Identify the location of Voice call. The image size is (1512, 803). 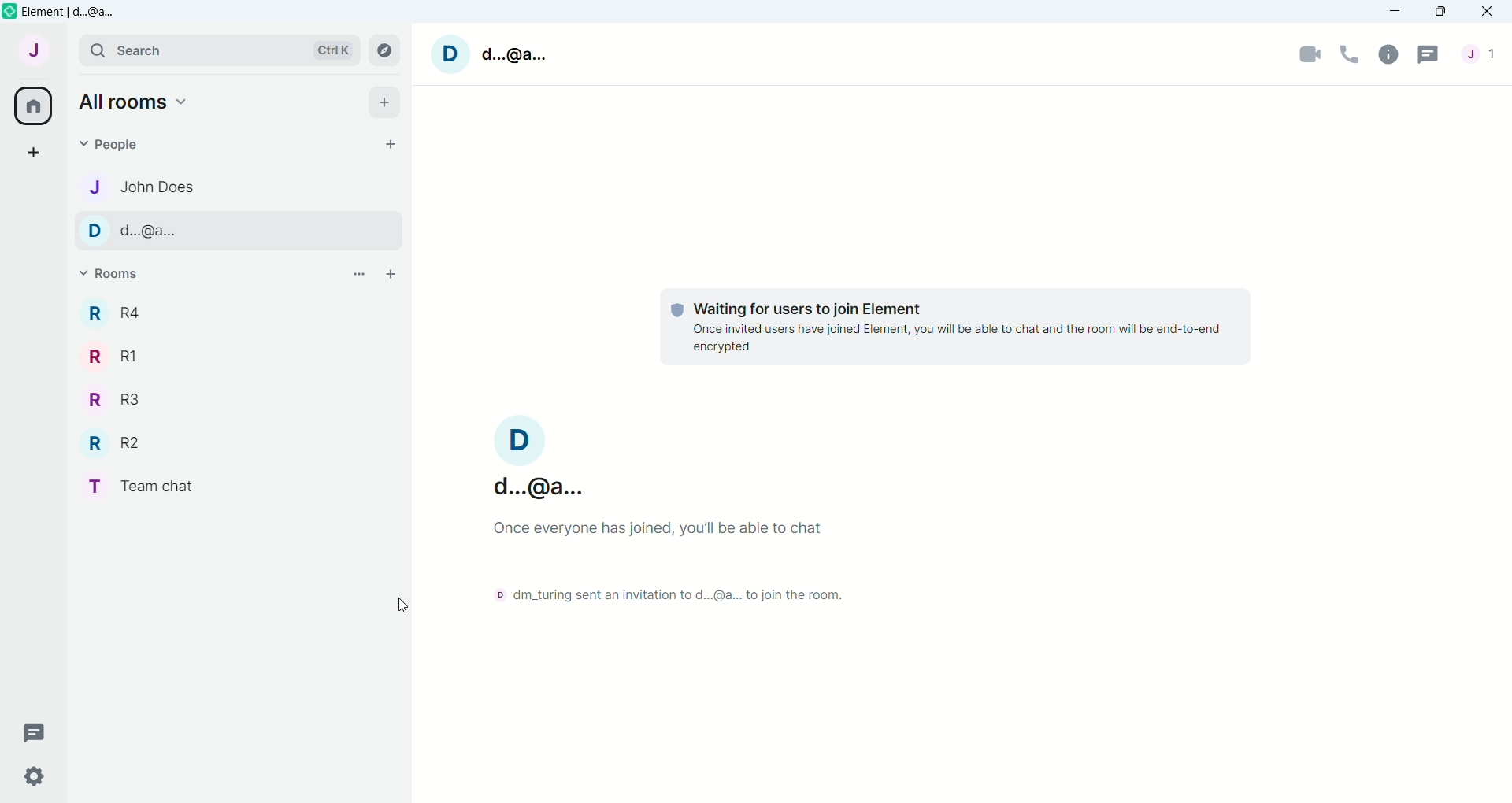
(1348, 54).